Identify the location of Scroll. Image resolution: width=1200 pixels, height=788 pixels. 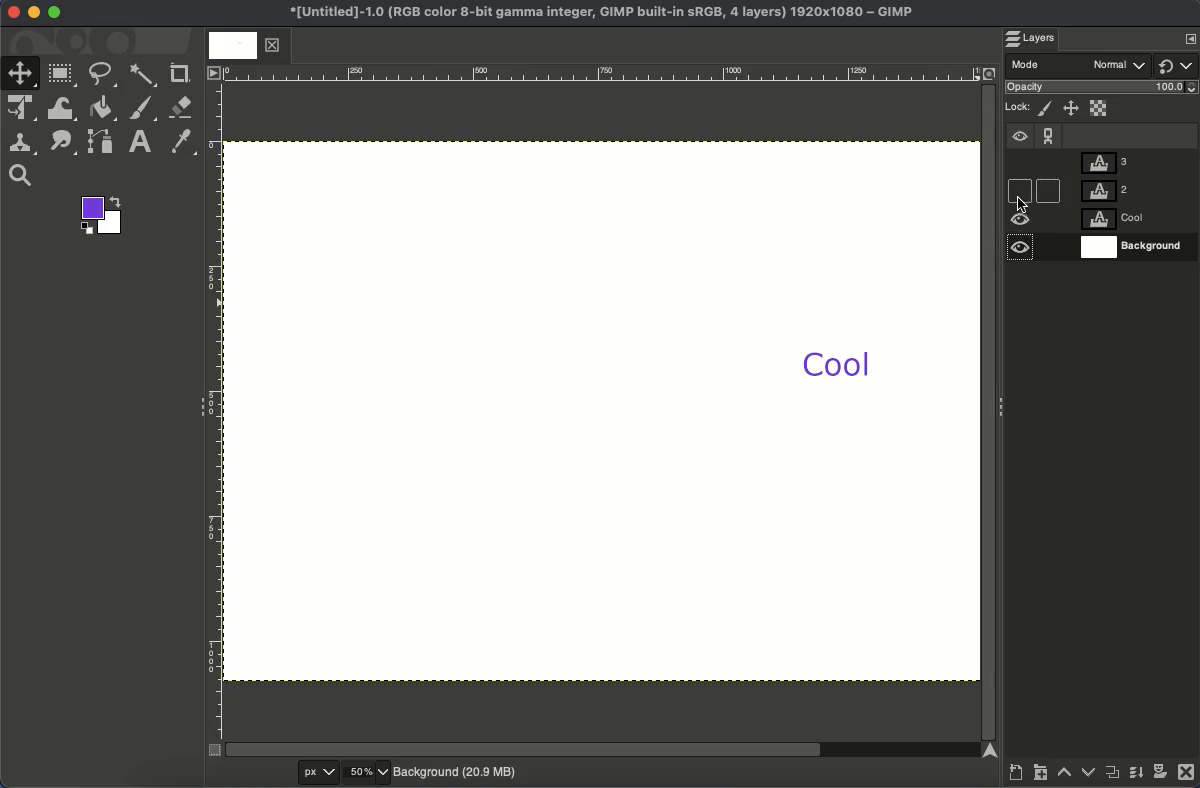
(988, 409).